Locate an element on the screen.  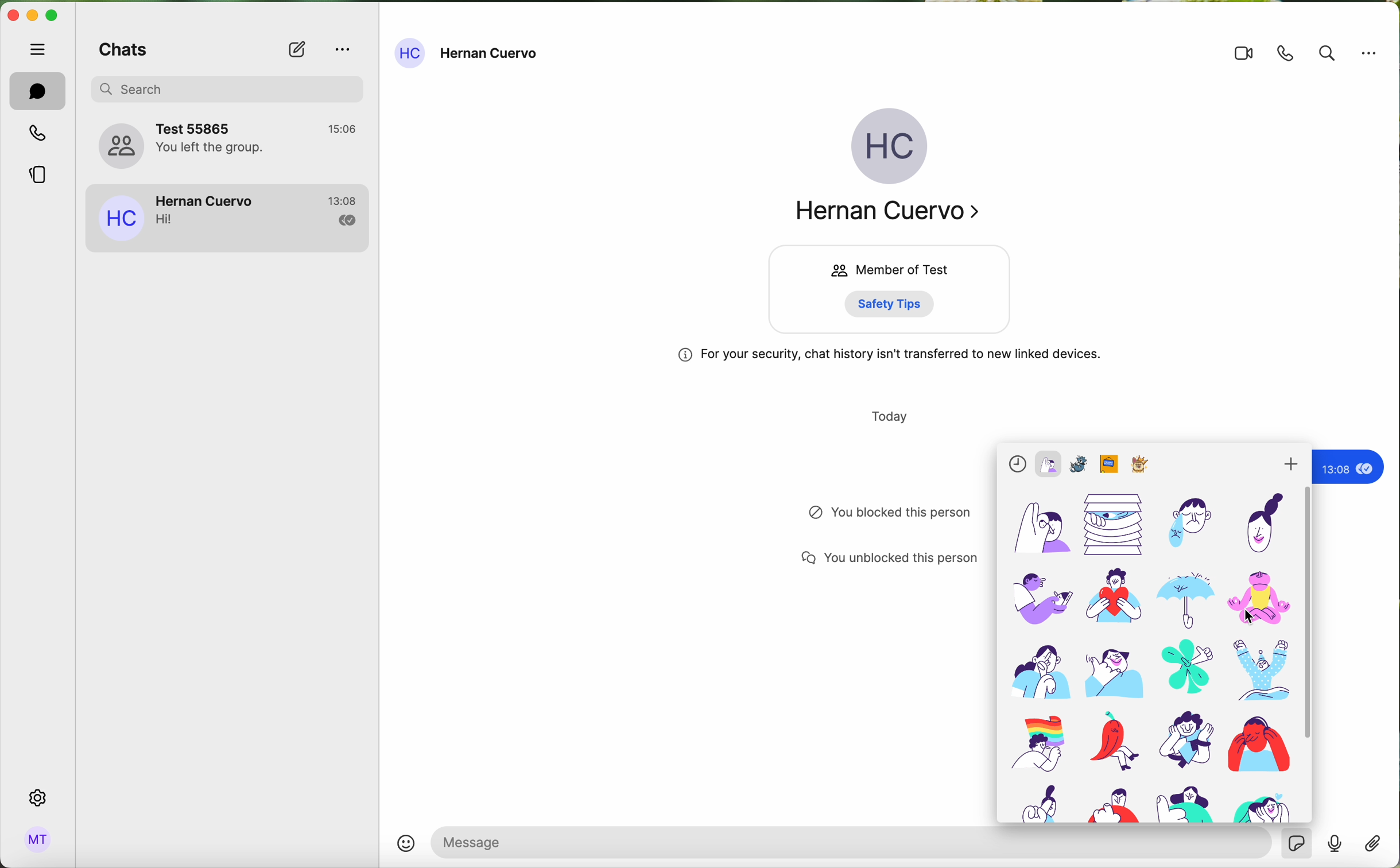
videocall is located at coordinates (1243, 55).